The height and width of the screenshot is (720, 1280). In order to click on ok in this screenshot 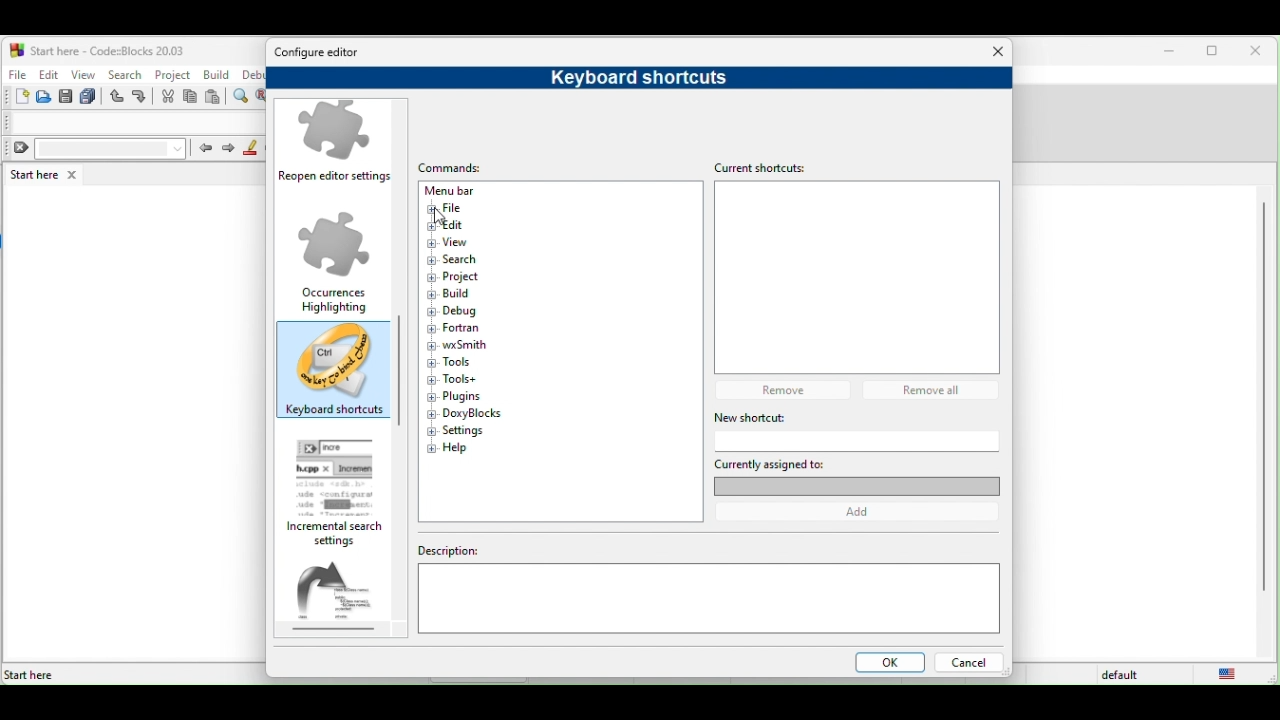, I will do `click(886, 664)`.